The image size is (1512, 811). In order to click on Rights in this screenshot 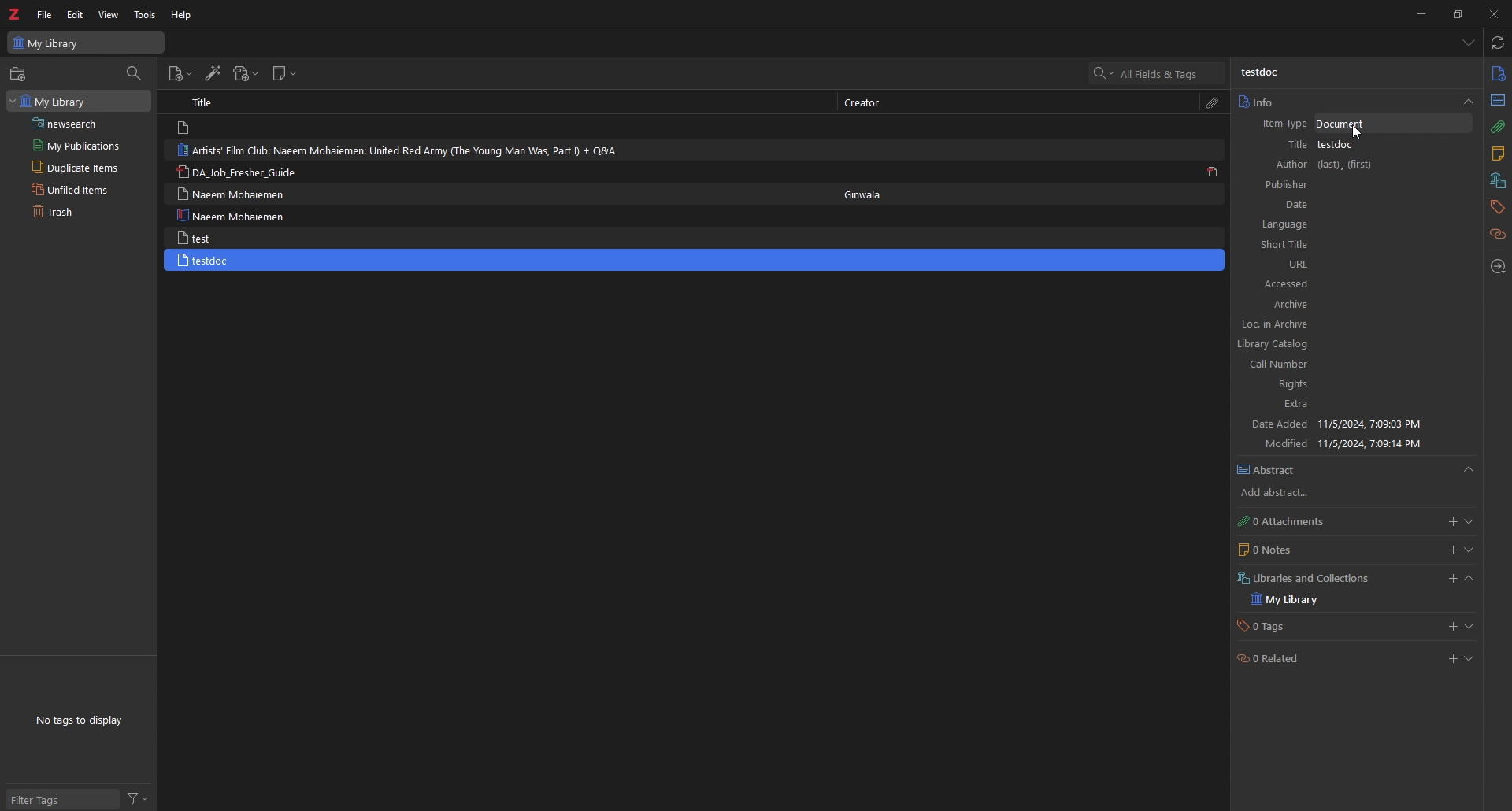, I will do `click(1351, 384)`.